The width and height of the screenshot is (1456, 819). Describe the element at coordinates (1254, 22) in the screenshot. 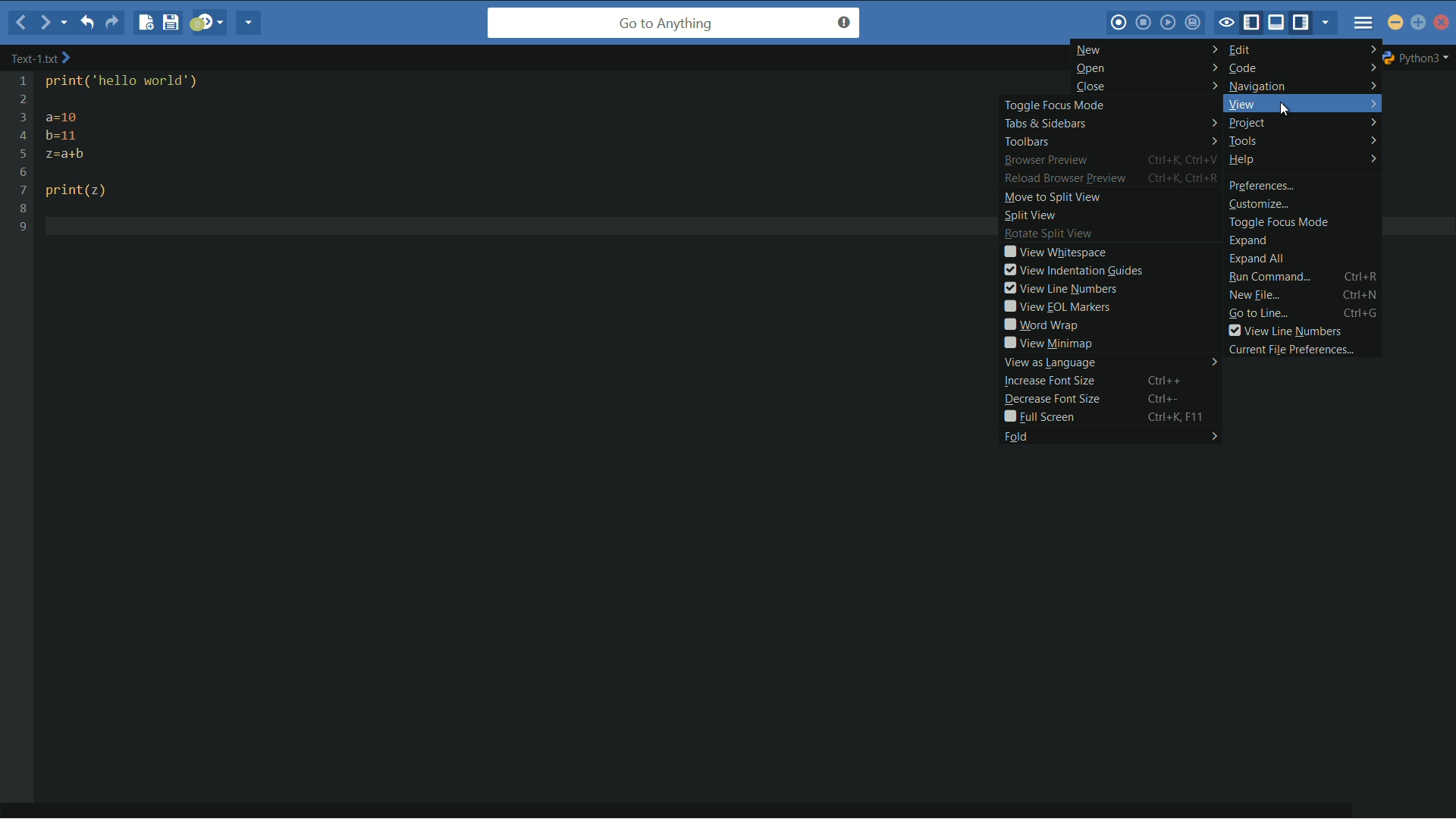

I see `show/hide left pane` at that location.